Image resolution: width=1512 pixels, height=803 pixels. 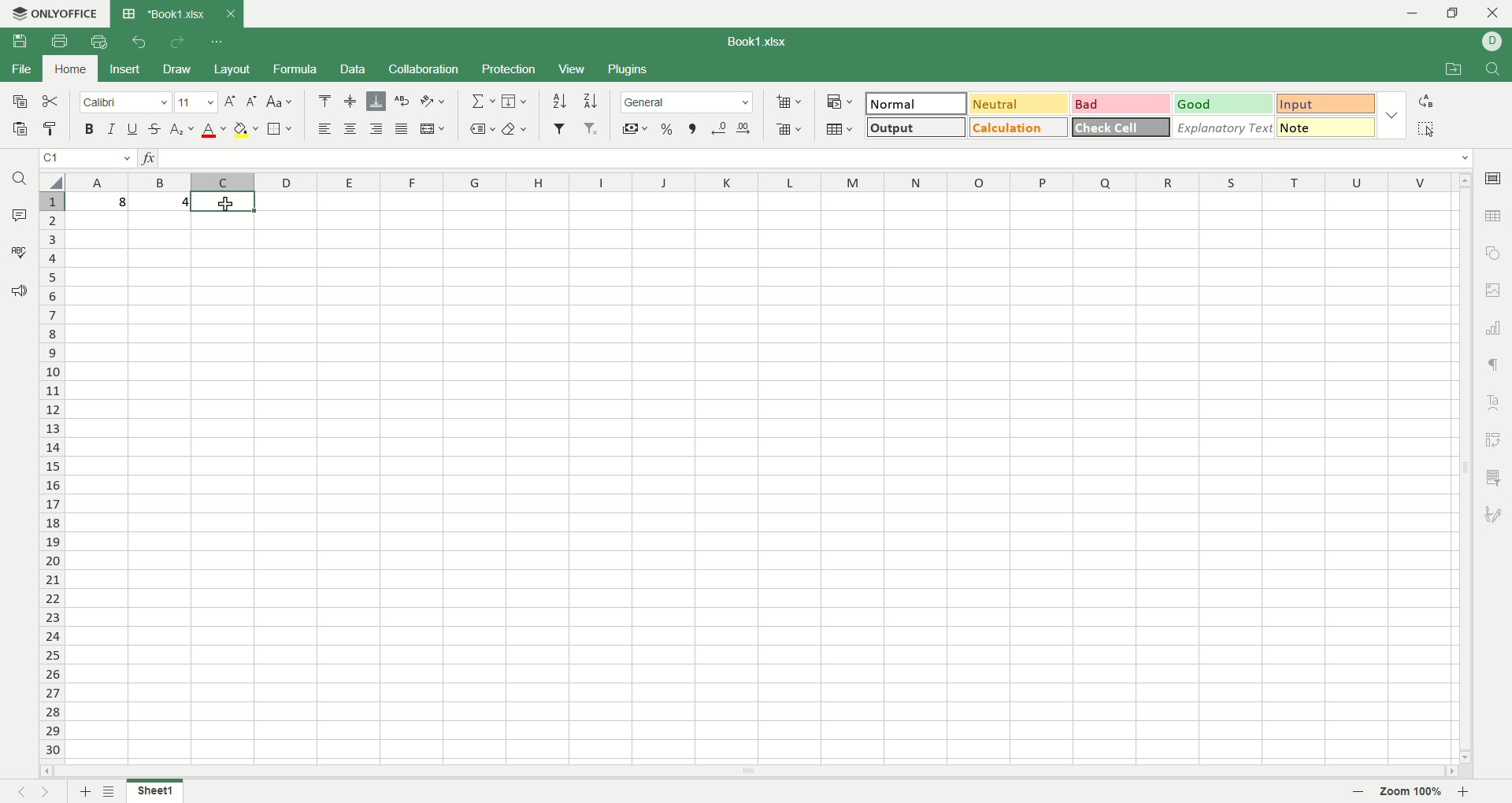 What do you see at coordinates (18, 292) in the screenshot?
I see `feedback and support` at bounding box center [18, 292].